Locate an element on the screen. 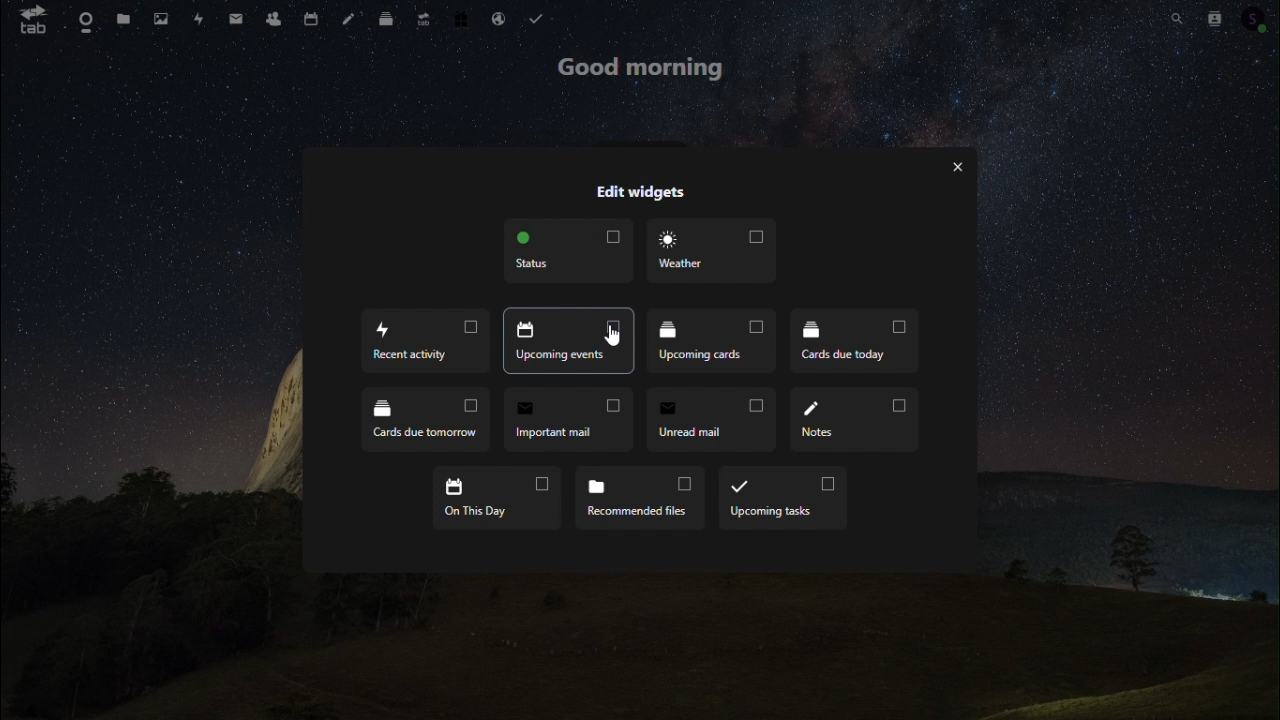 This screenshot has height=720, width=1280. Task  is located at coordinates (538, 19).